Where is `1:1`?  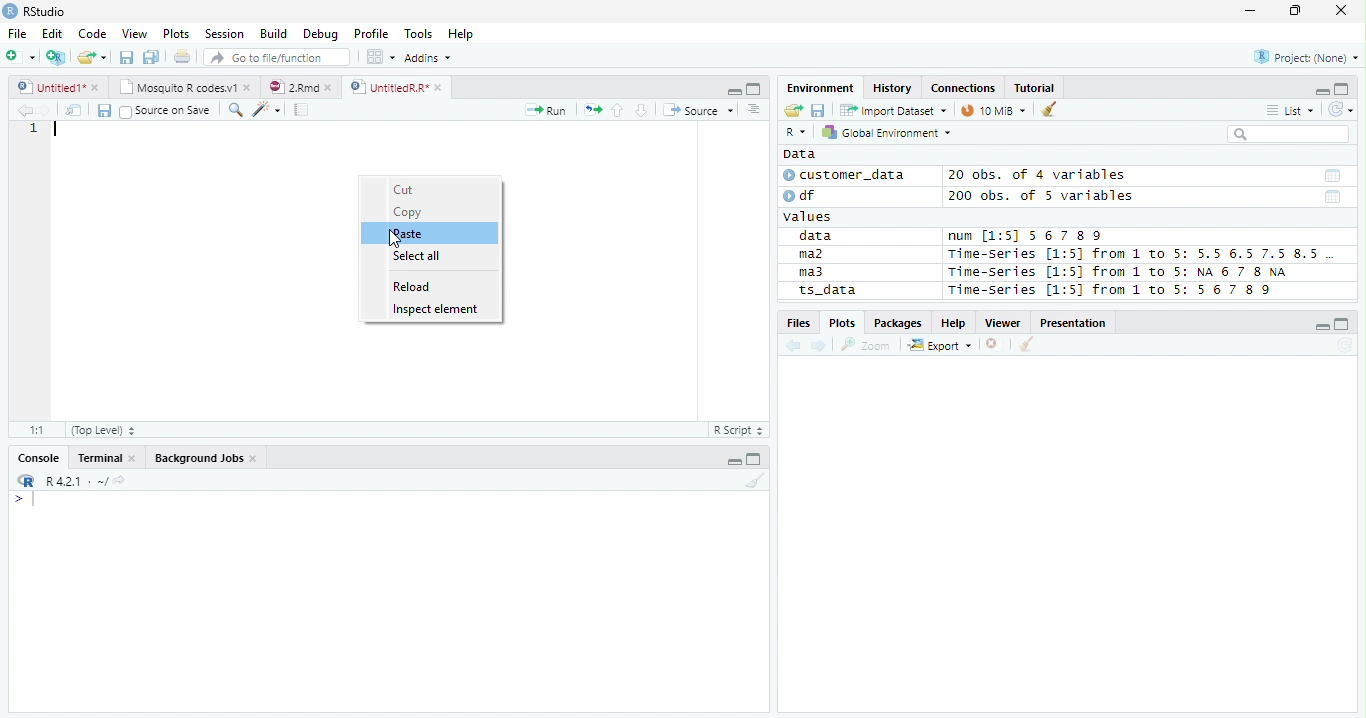 1:1 is located at coordinates (37, 430).